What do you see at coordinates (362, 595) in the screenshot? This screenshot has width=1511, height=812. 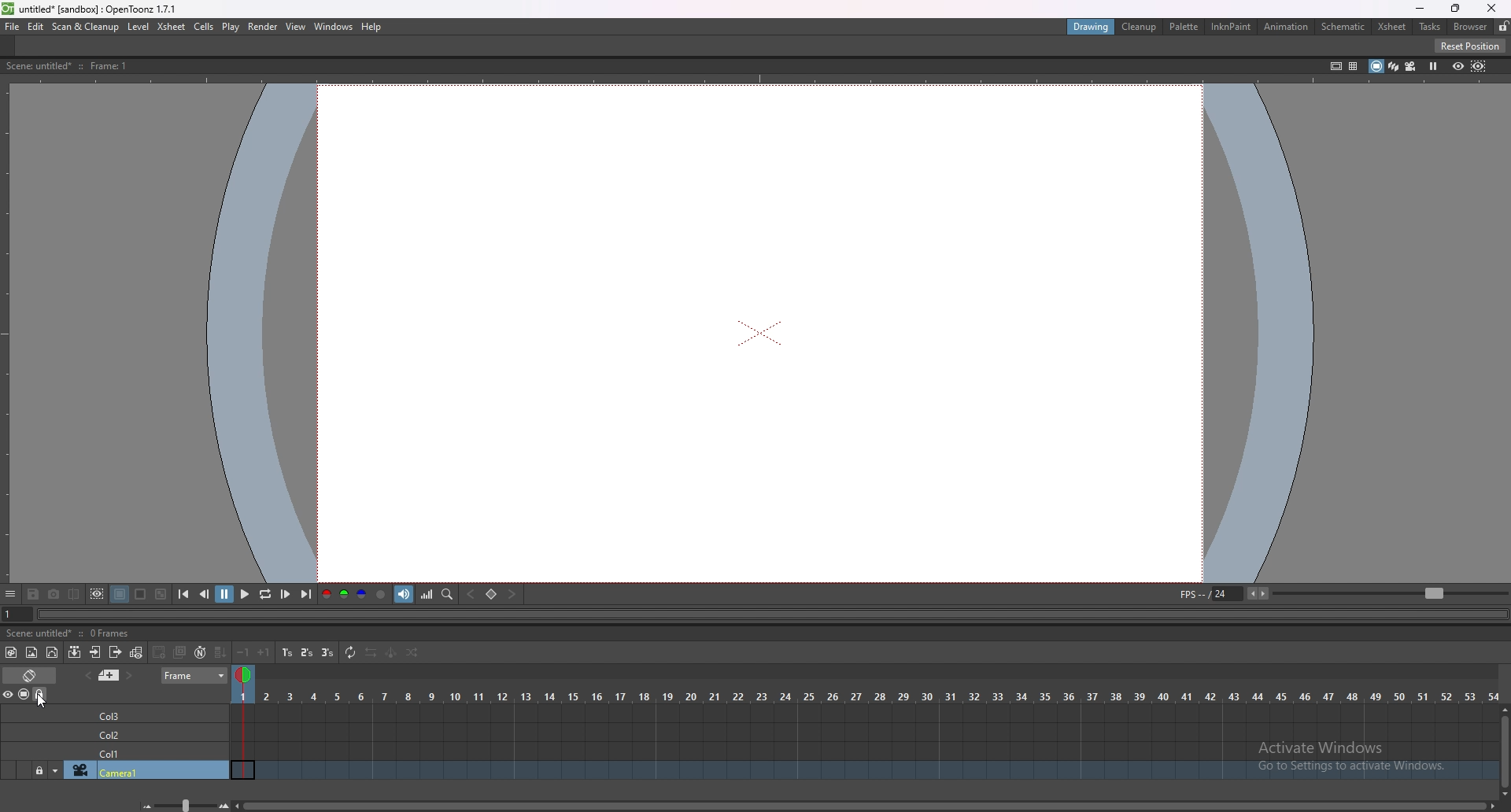 I see `blue` at bounding box center [362, 595].